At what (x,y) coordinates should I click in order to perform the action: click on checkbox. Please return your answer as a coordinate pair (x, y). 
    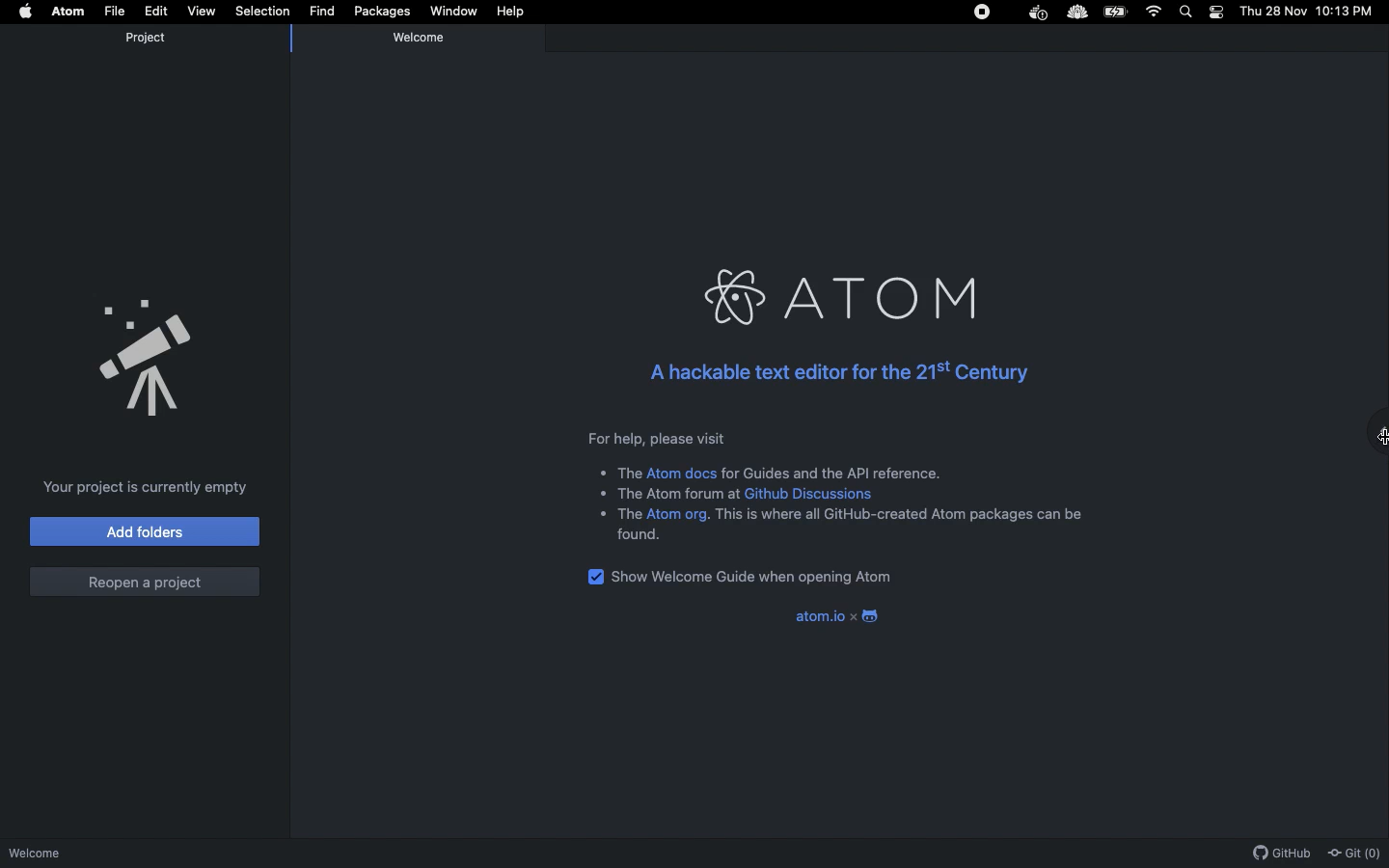
    Looking at the image, I should click on (594, 575).